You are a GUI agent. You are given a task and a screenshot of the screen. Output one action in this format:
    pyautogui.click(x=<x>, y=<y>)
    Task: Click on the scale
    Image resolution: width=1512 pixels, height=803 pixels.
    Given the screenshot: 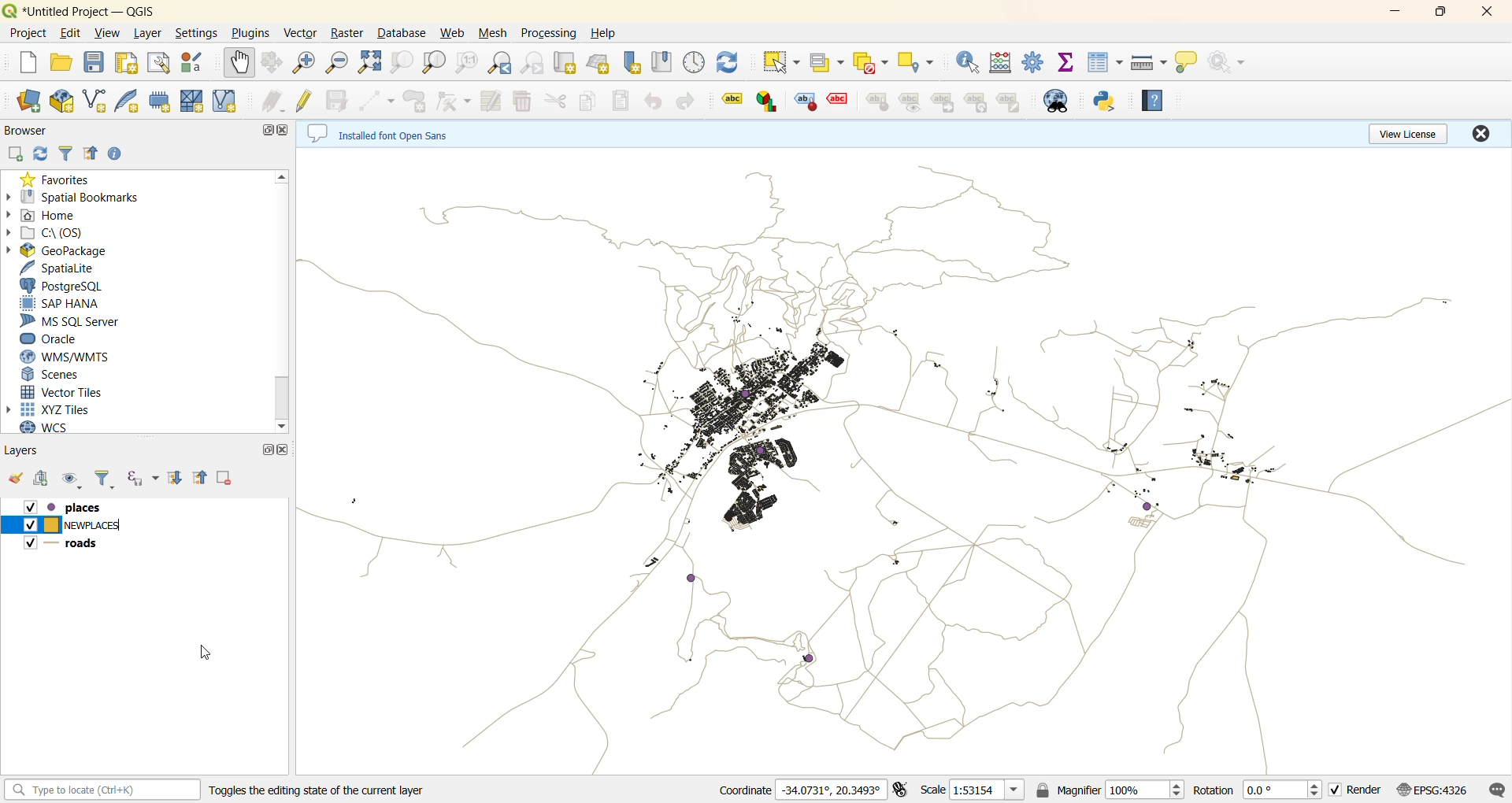 What is the action you would take?
    pyautogui.click(x=987, y=792)
    